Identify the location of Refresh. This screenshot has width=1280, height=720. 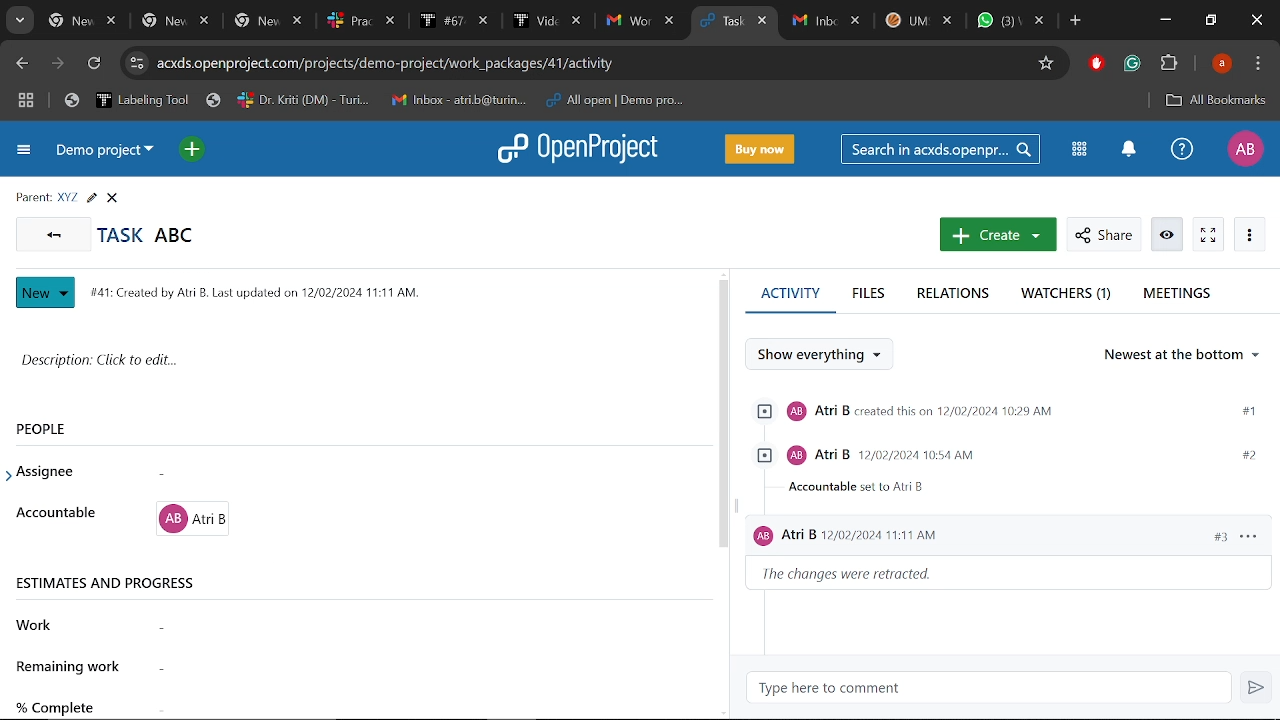
(98, 64).